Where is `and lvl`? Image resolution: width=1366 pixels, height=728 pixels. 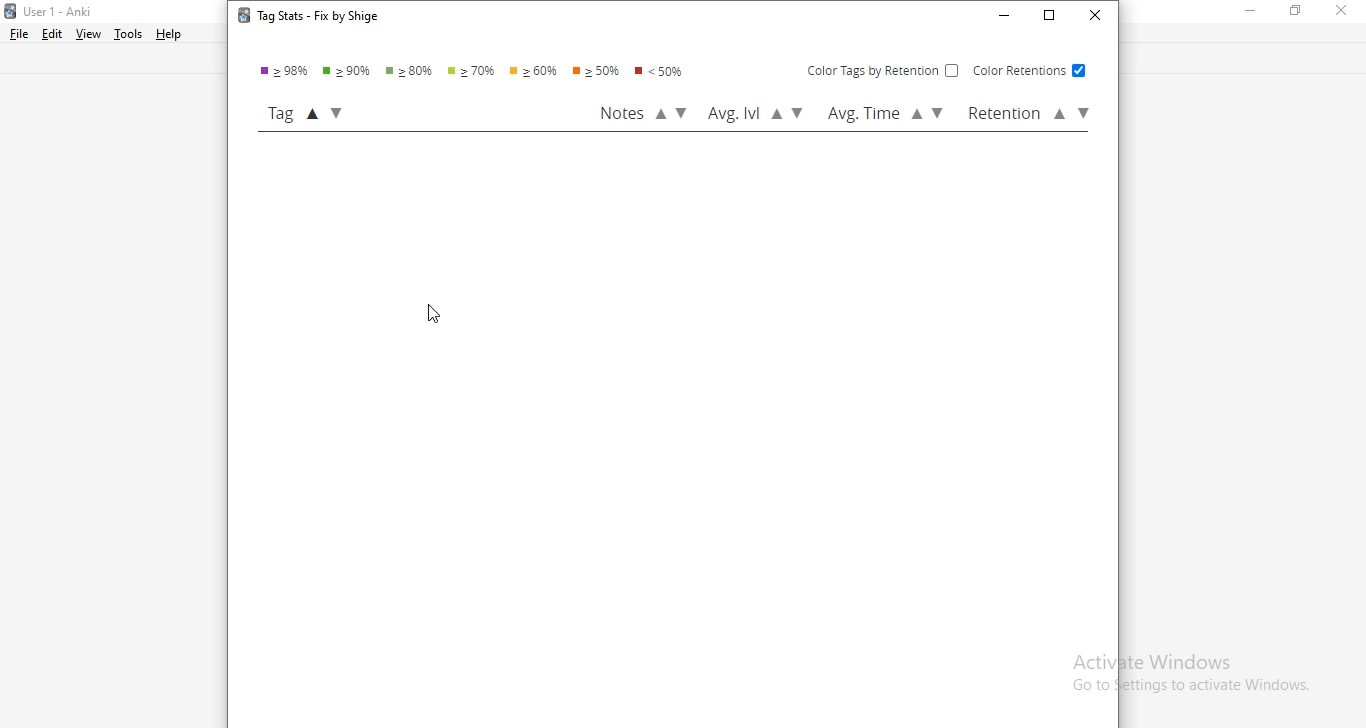 and lvl is located at coordinates (755, 115).